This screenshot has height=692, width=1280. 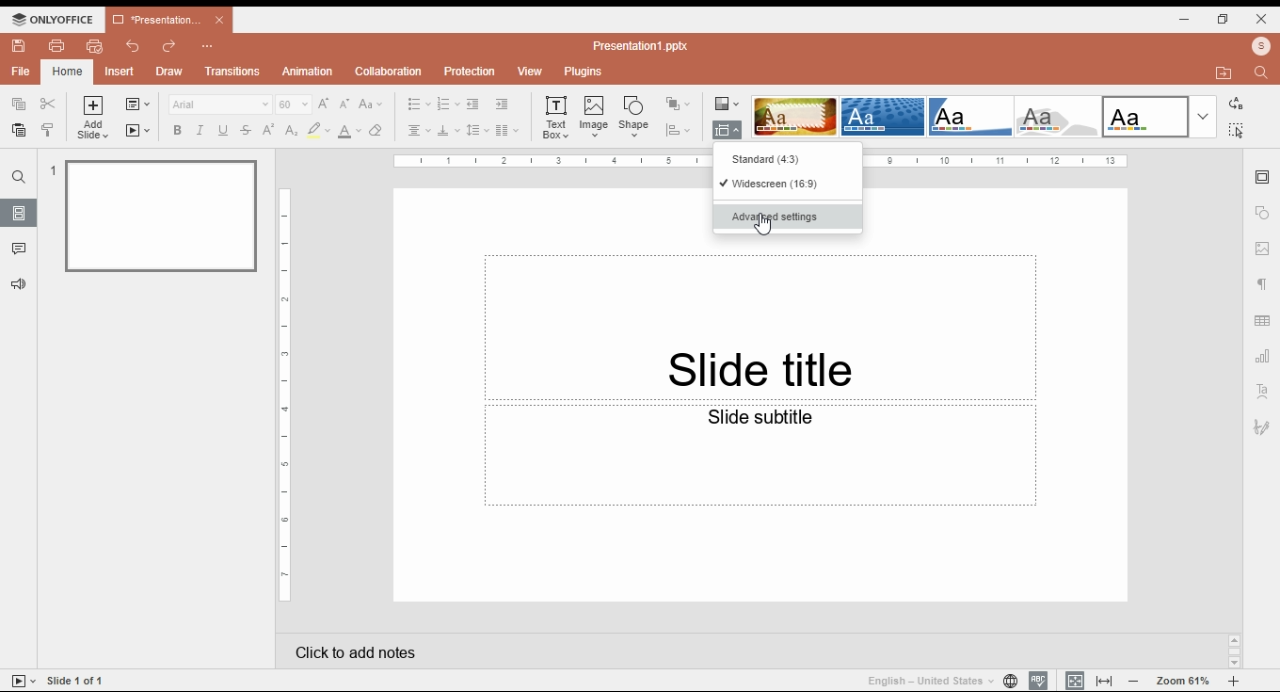 I want to click on 60, so click(x=294, y=104).